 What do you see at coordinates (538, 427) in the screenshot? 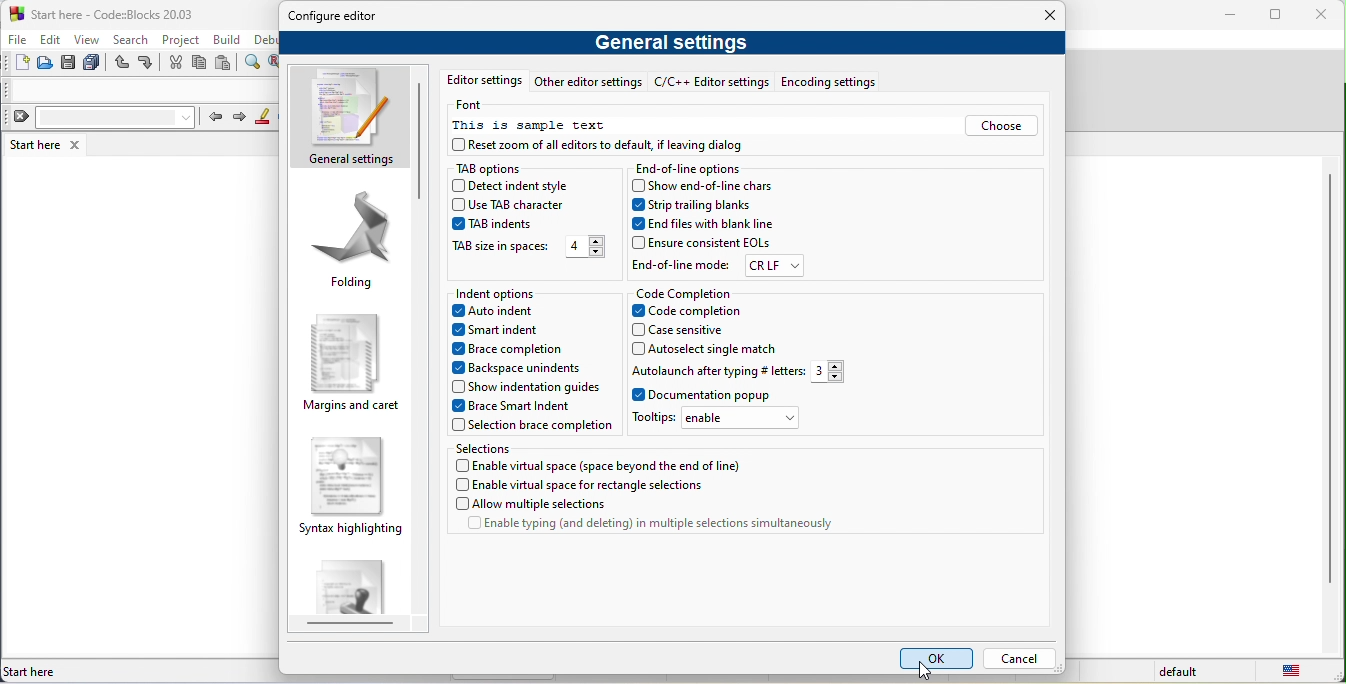
I see `selection brace completion` at bounding box center [538, 427].